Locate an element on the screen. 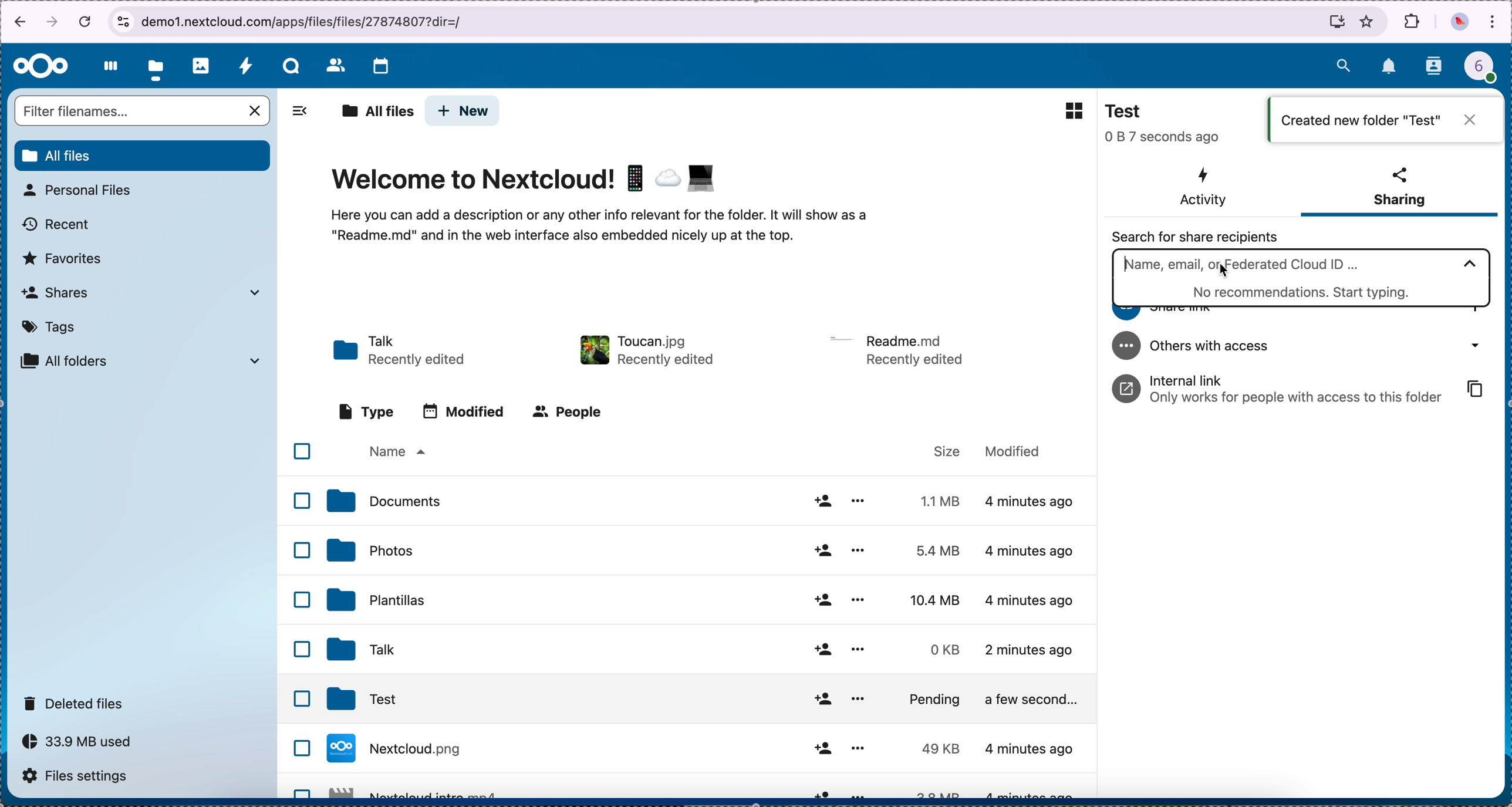 This screenshot has height=807, width=1512. talk is located at coordinates (291, 66).